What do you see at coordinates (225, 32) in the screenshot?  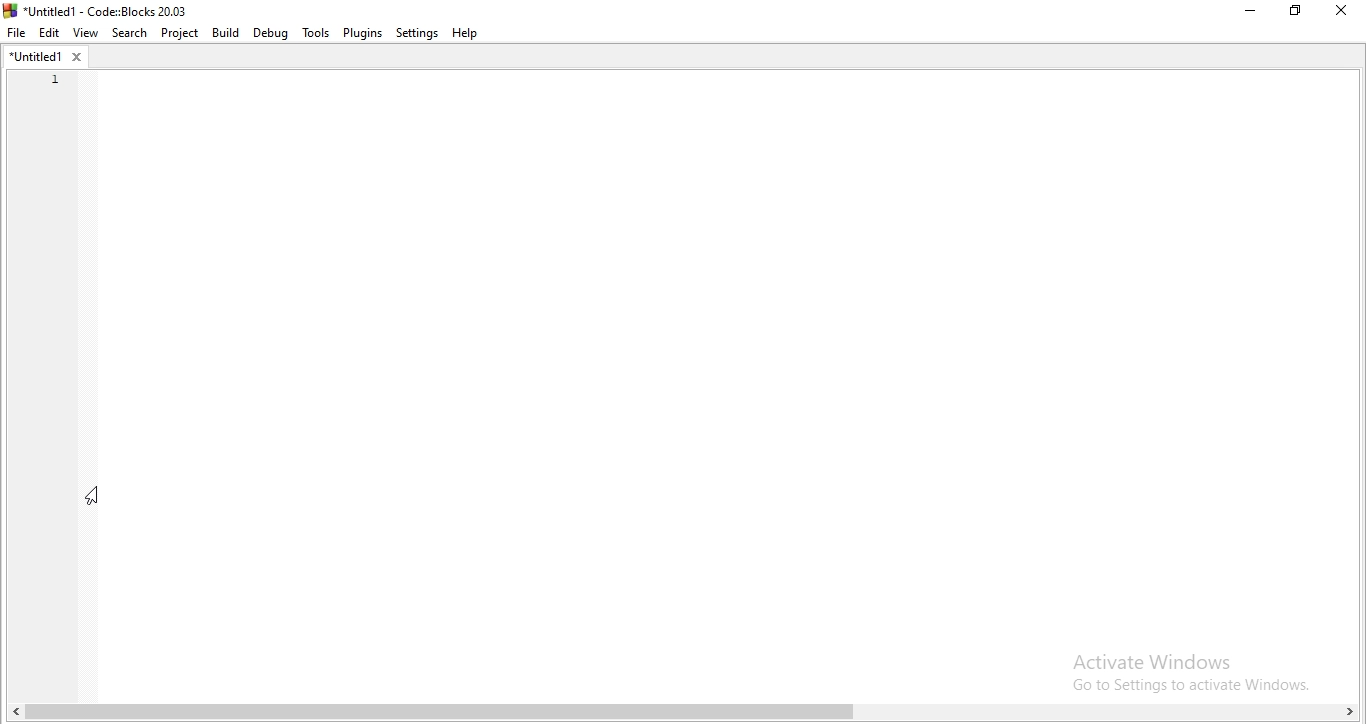 I see `Build ` at bounding box center [225, 32].